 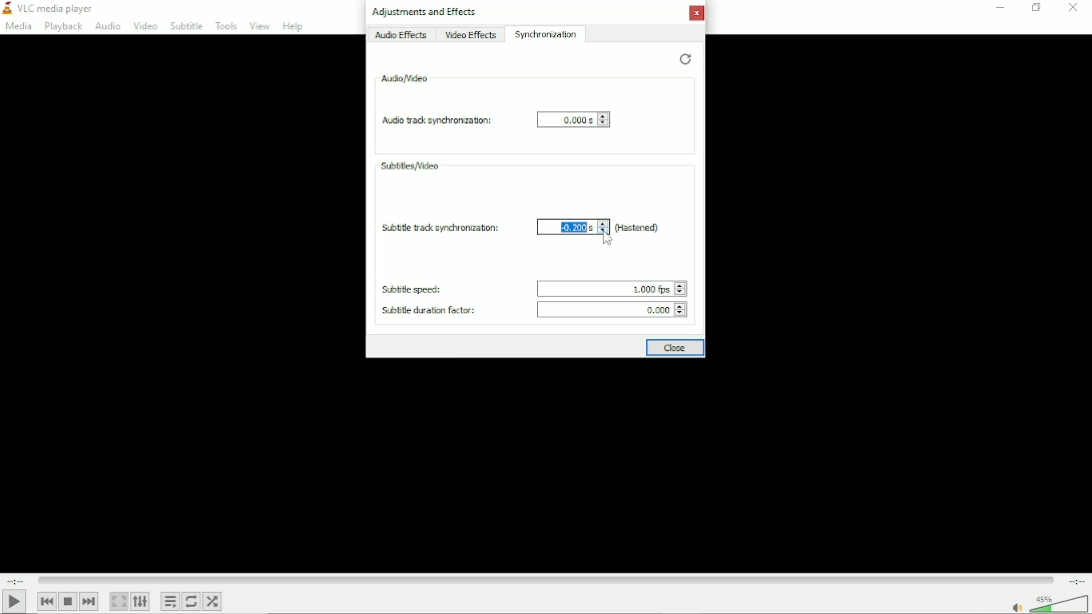 I want to click on (Hastened), so click(x=637, y=228).